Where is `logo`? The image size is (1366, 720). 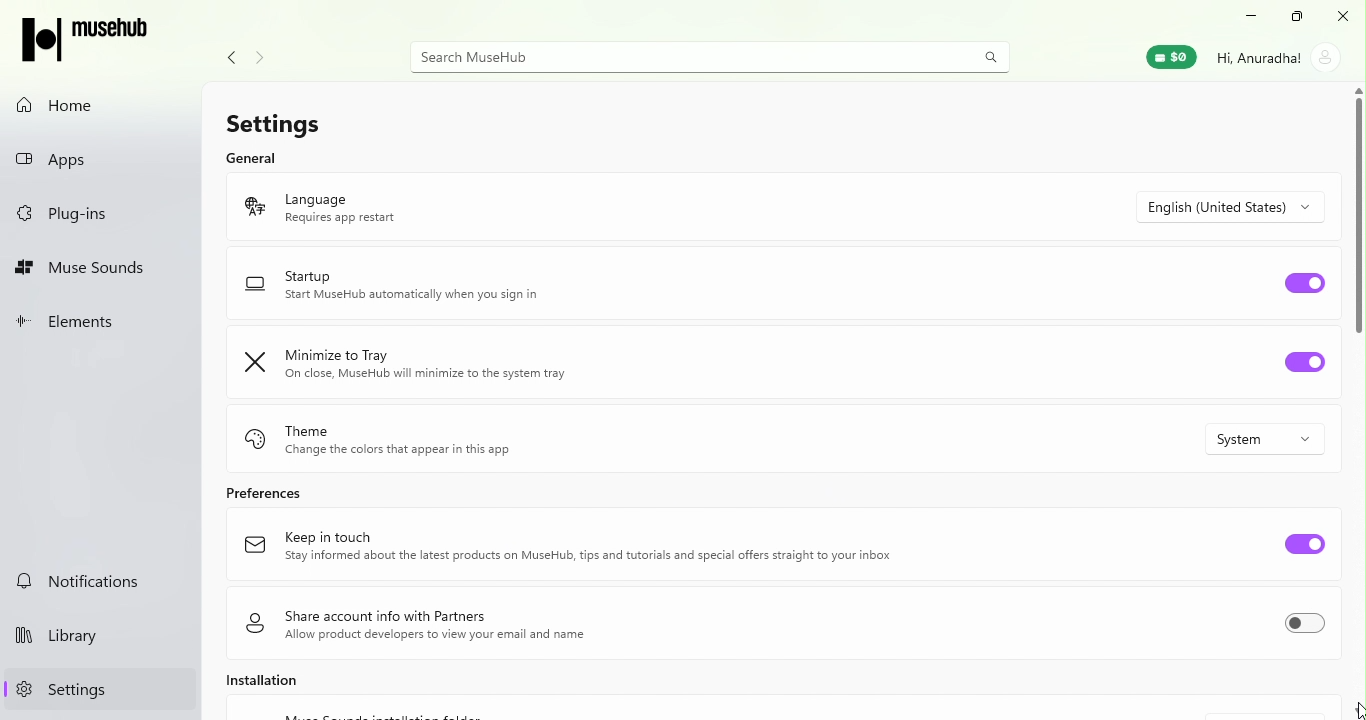
logo is located at coordinates (252, 543).